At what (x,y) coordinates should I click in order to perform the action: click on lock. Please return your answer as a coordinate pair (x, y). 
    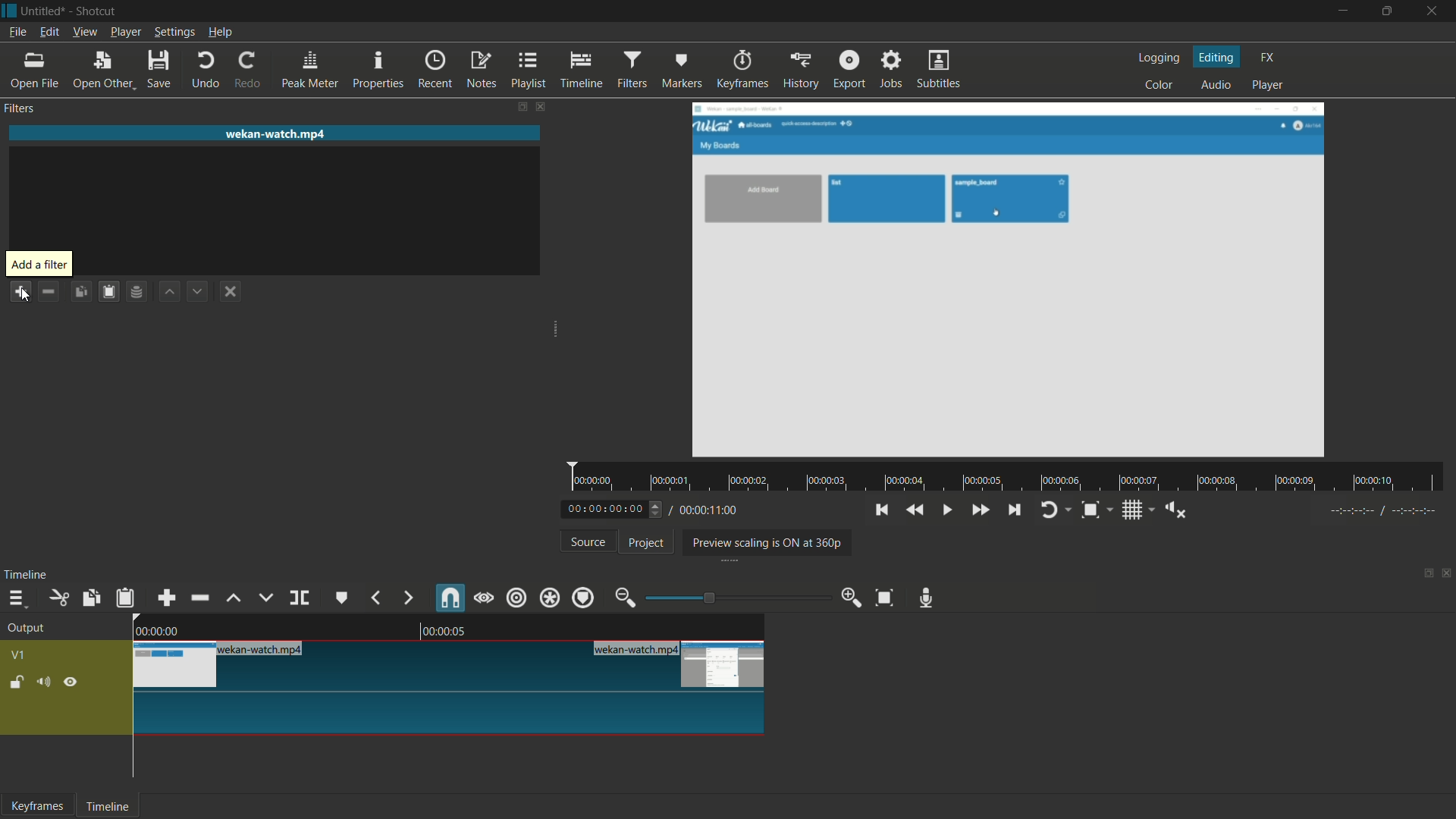
    Looking at the image, I should click on (17, 684).